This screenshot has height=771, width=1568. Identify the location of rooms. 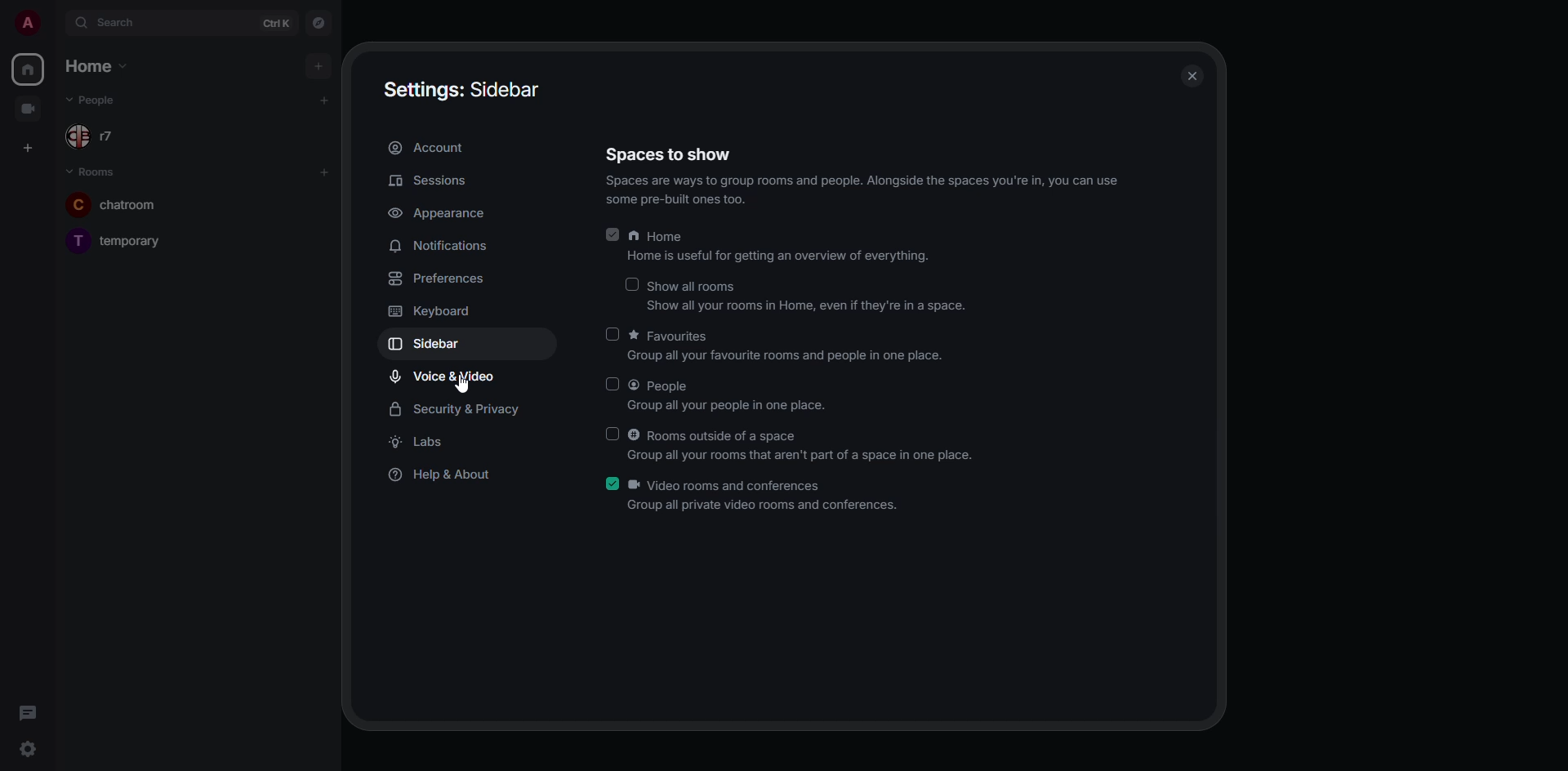
(93, 169).